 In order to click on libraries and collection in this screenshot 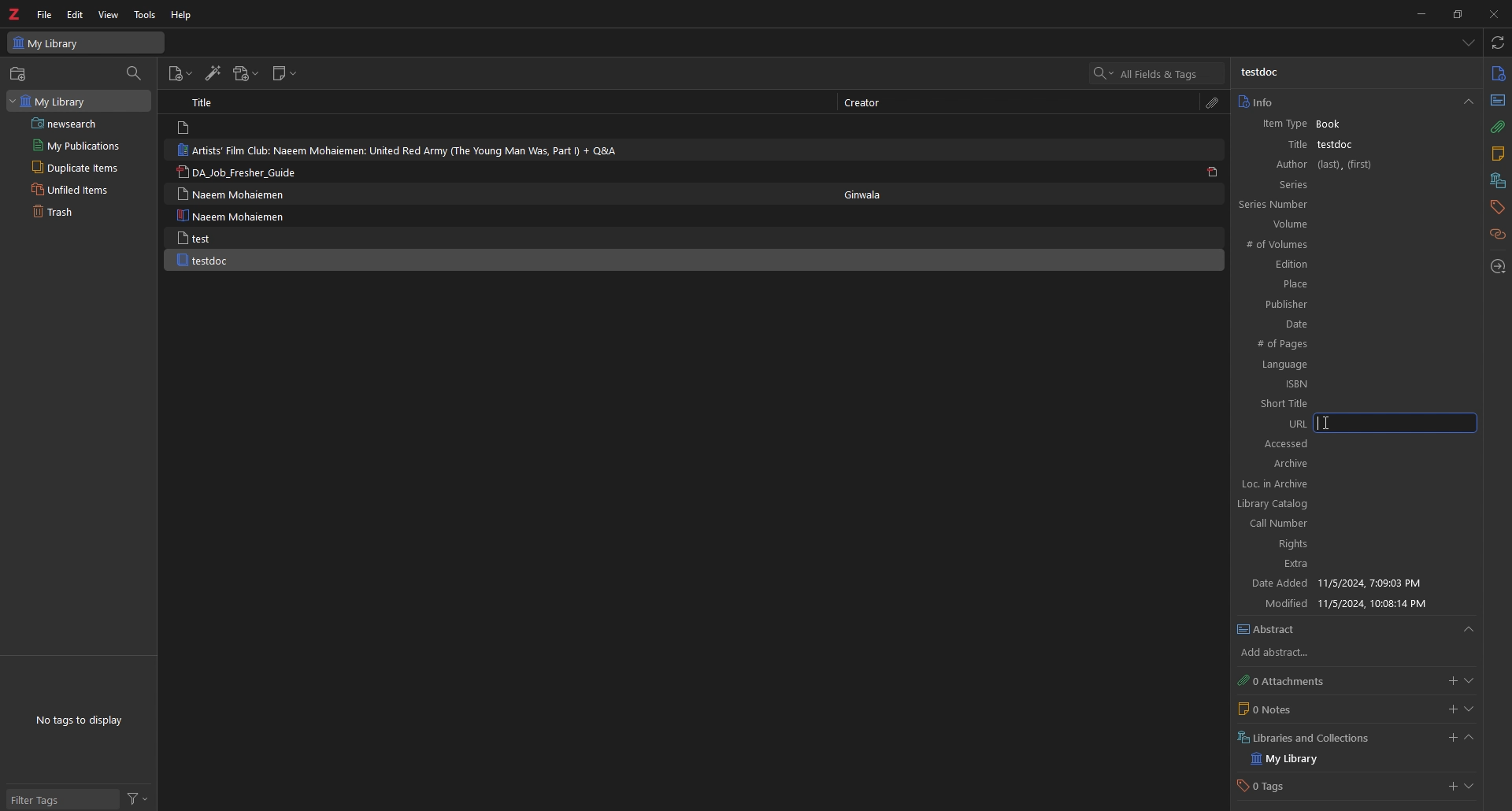, I will do `click(1497, 180)`.